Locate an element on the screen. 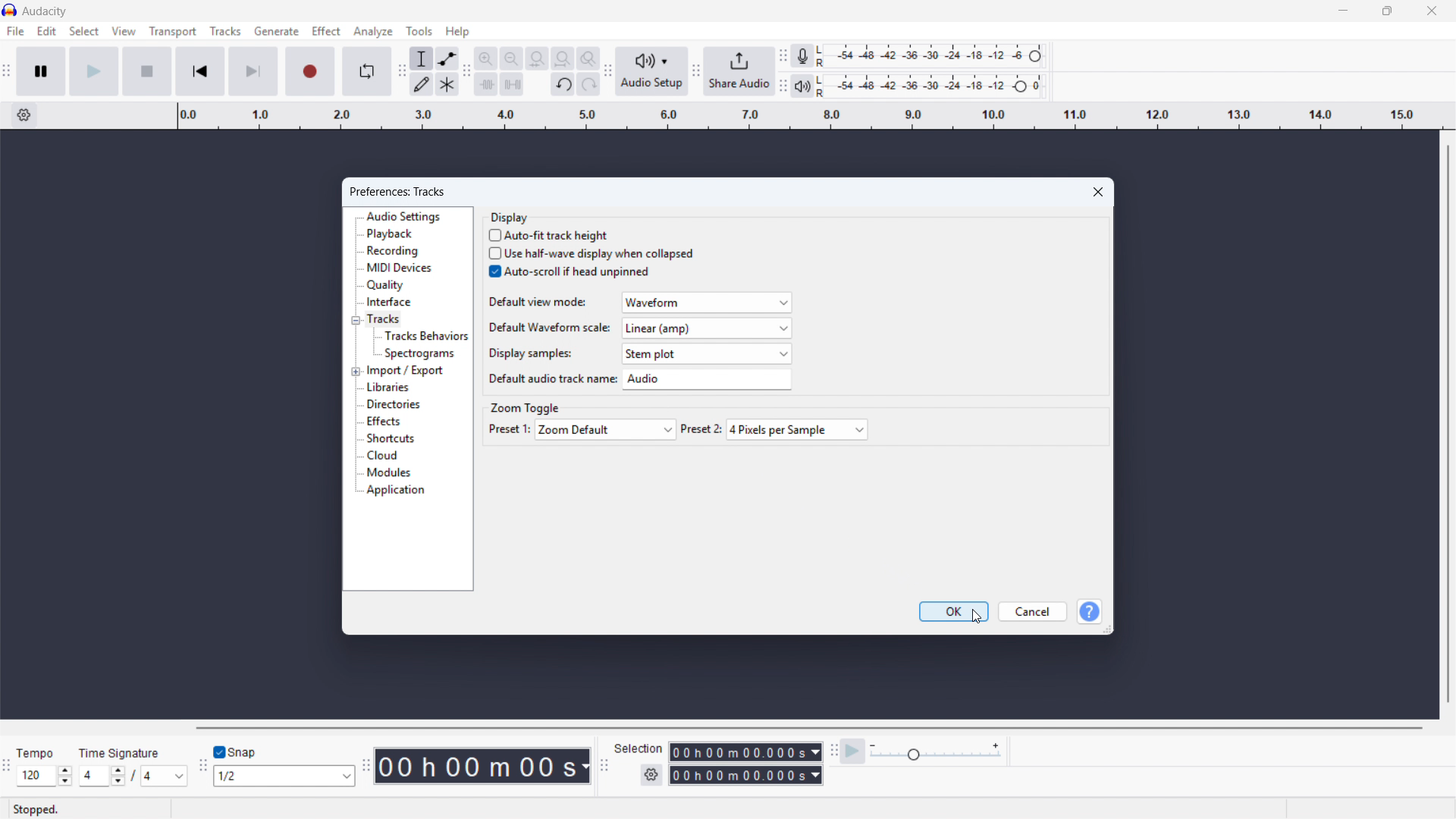 Image resolution: width=1456 pixels, height=819 pixels. help is located at coordinates (458, 31).